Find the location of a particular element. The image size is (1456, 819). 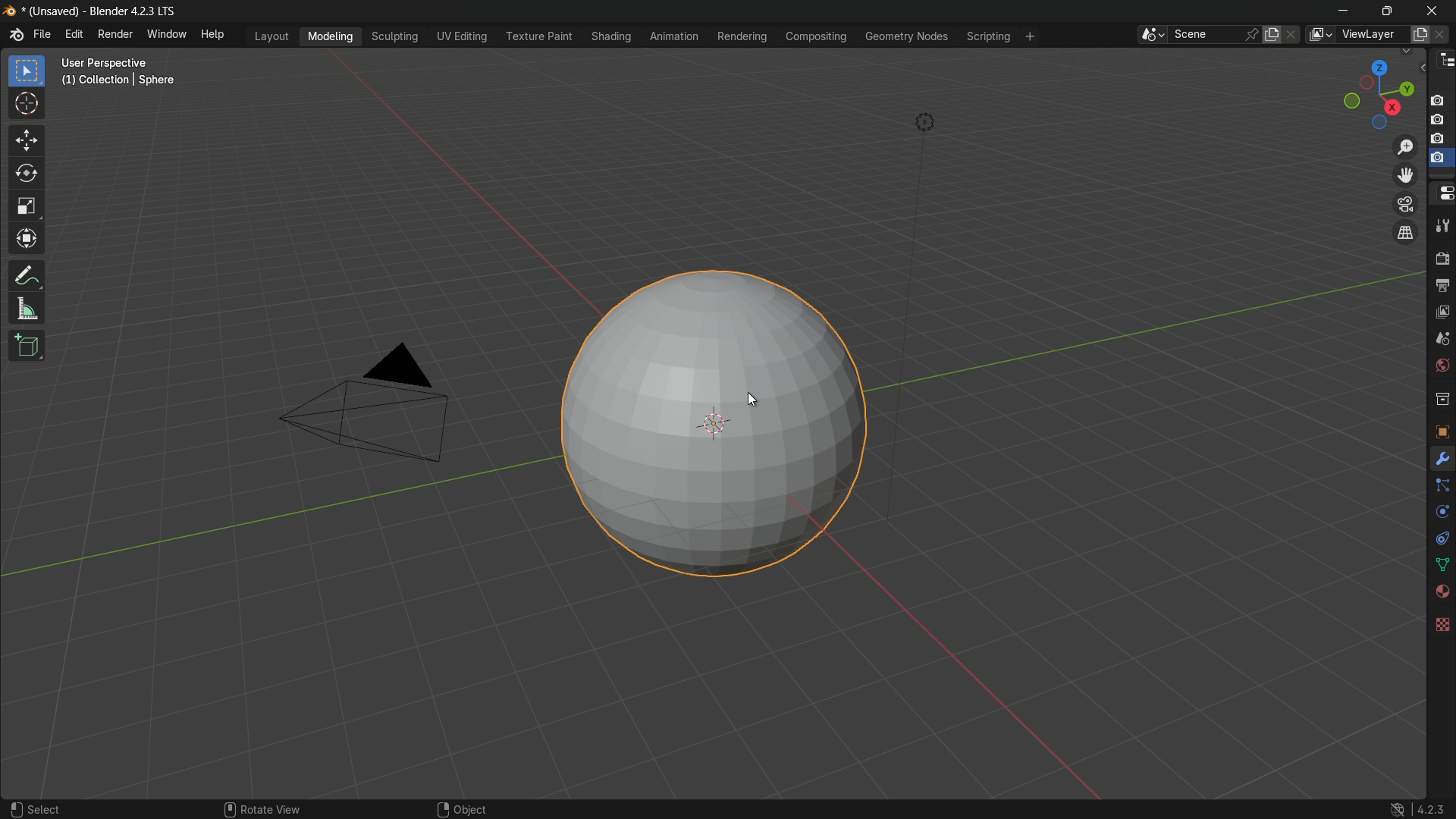

close app is located at coordinates (1435, 10).